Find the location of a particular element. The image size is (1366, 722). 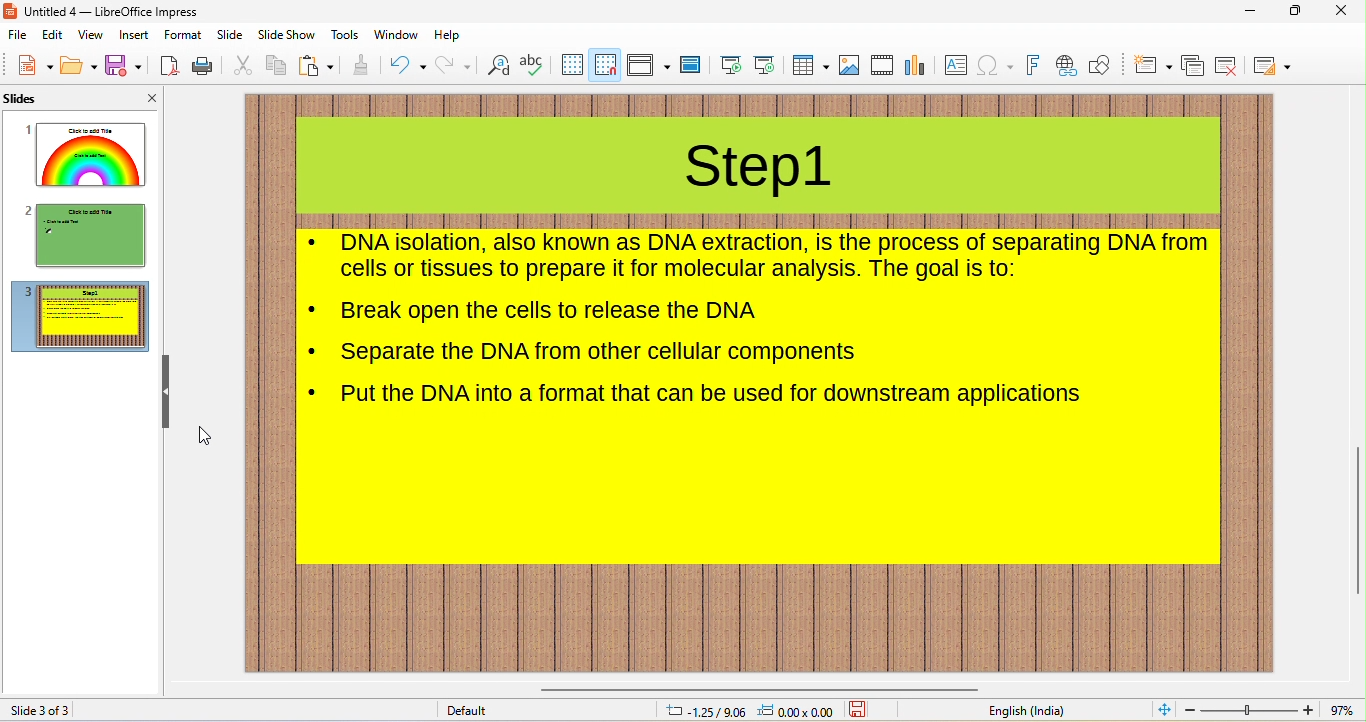

slide layout is located at coordinates (1276, 65).